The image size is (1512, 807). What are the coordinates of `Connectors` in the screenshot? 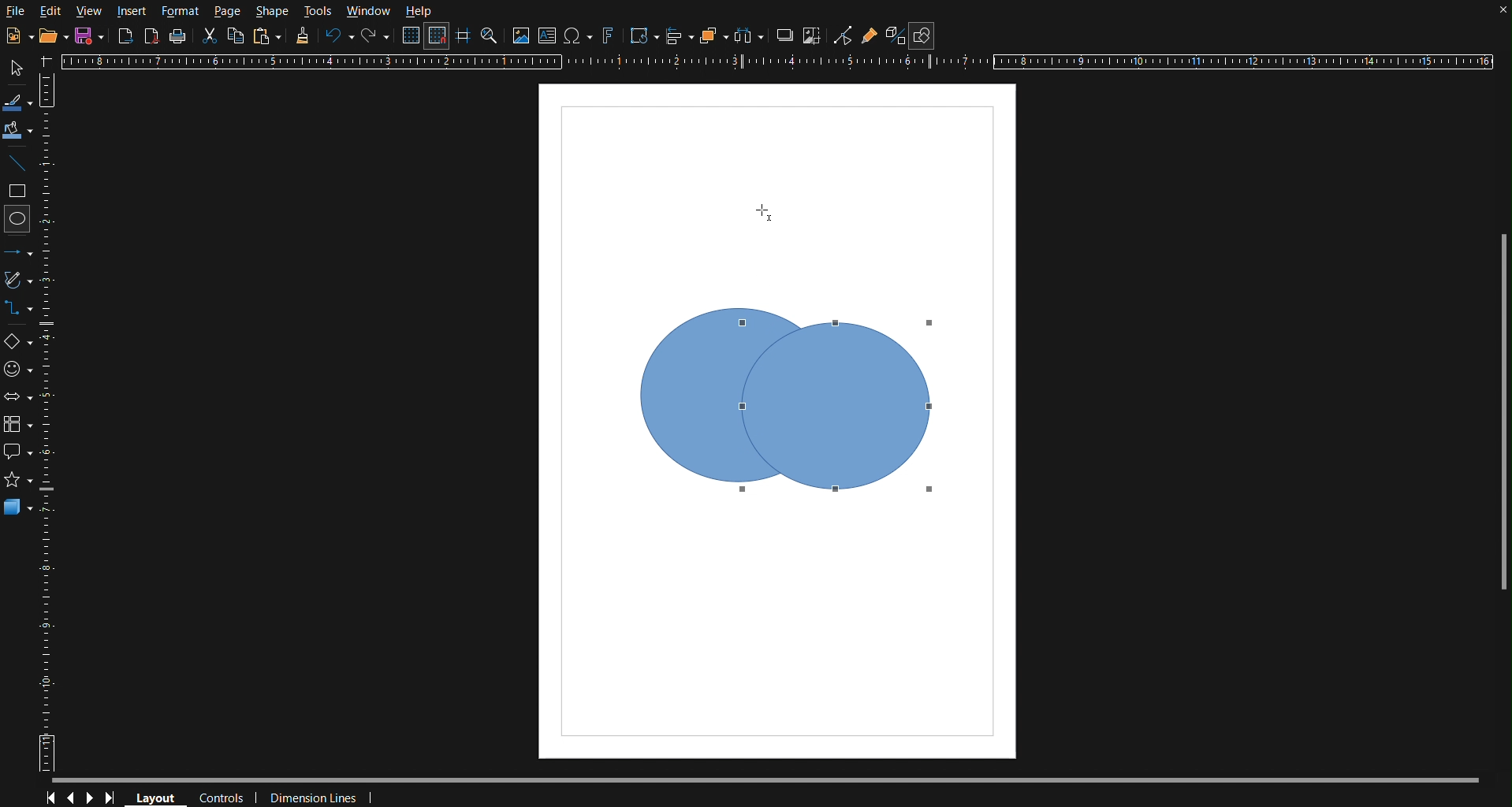 It's located at (20, 308).